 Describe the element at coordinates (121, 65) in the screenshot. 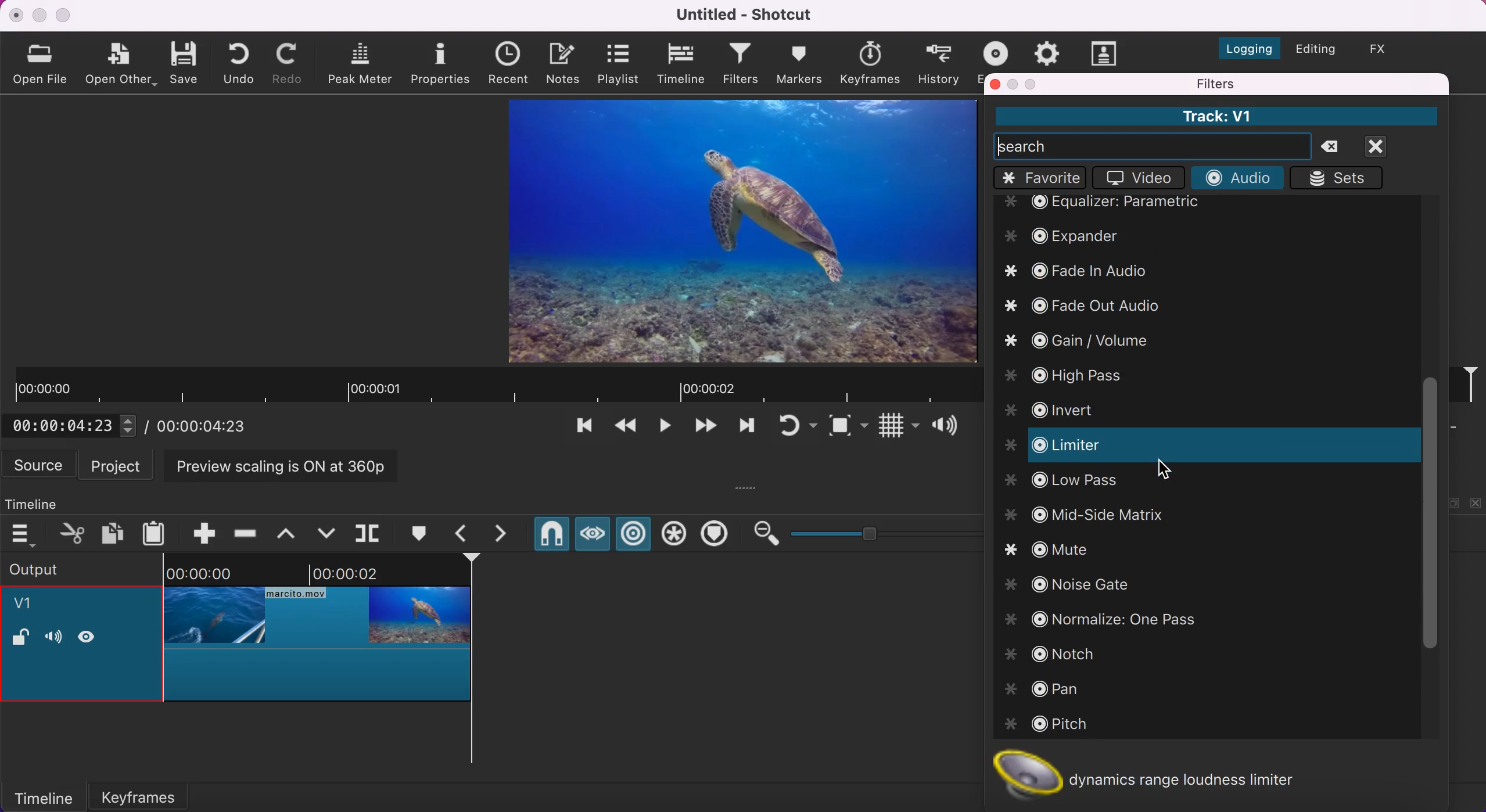

I see `open other` at that location.